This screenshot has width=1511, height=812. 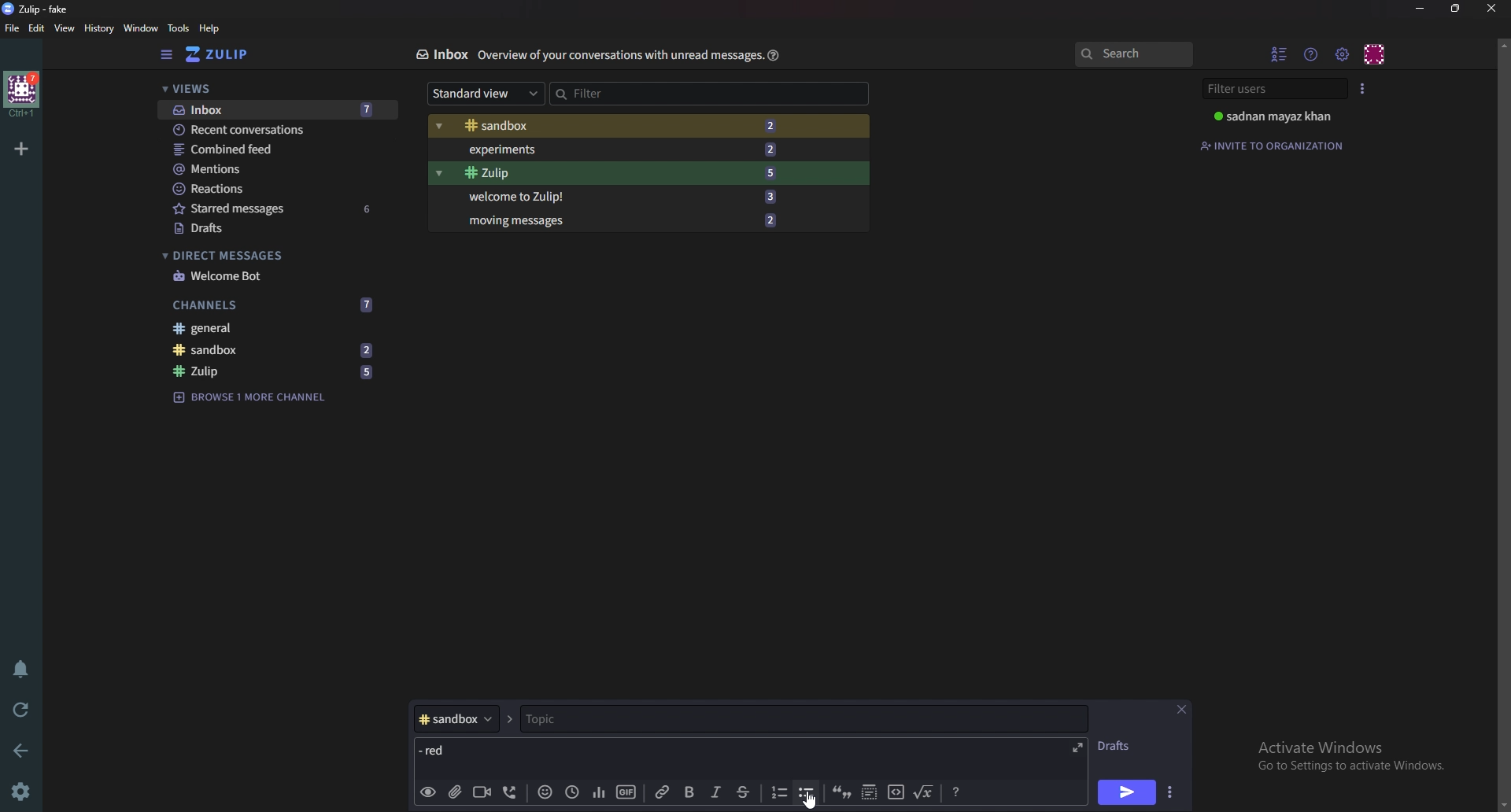 I want to click on File, so click(x=13, y=28).